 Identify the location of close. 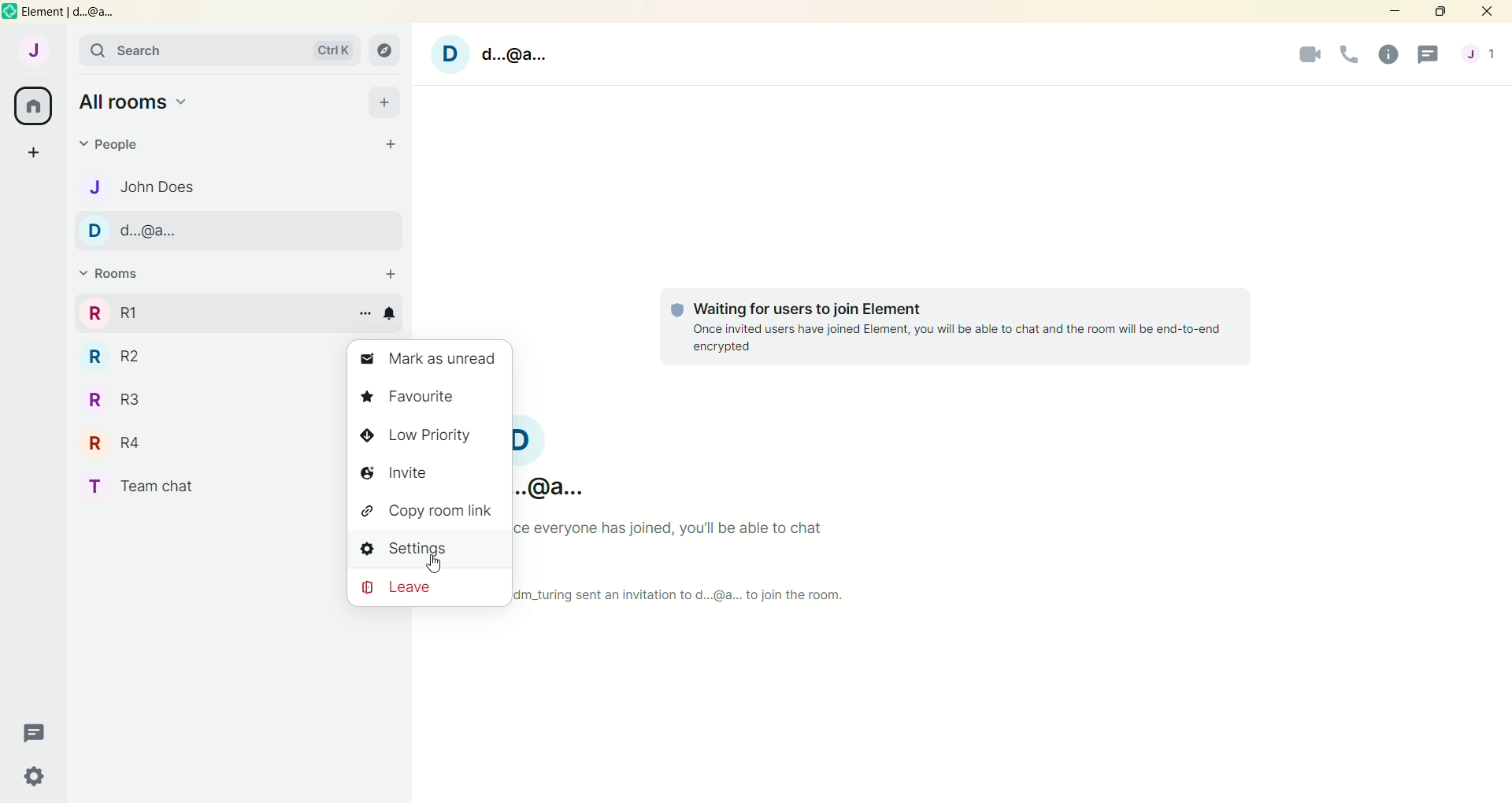
(1487, 13).